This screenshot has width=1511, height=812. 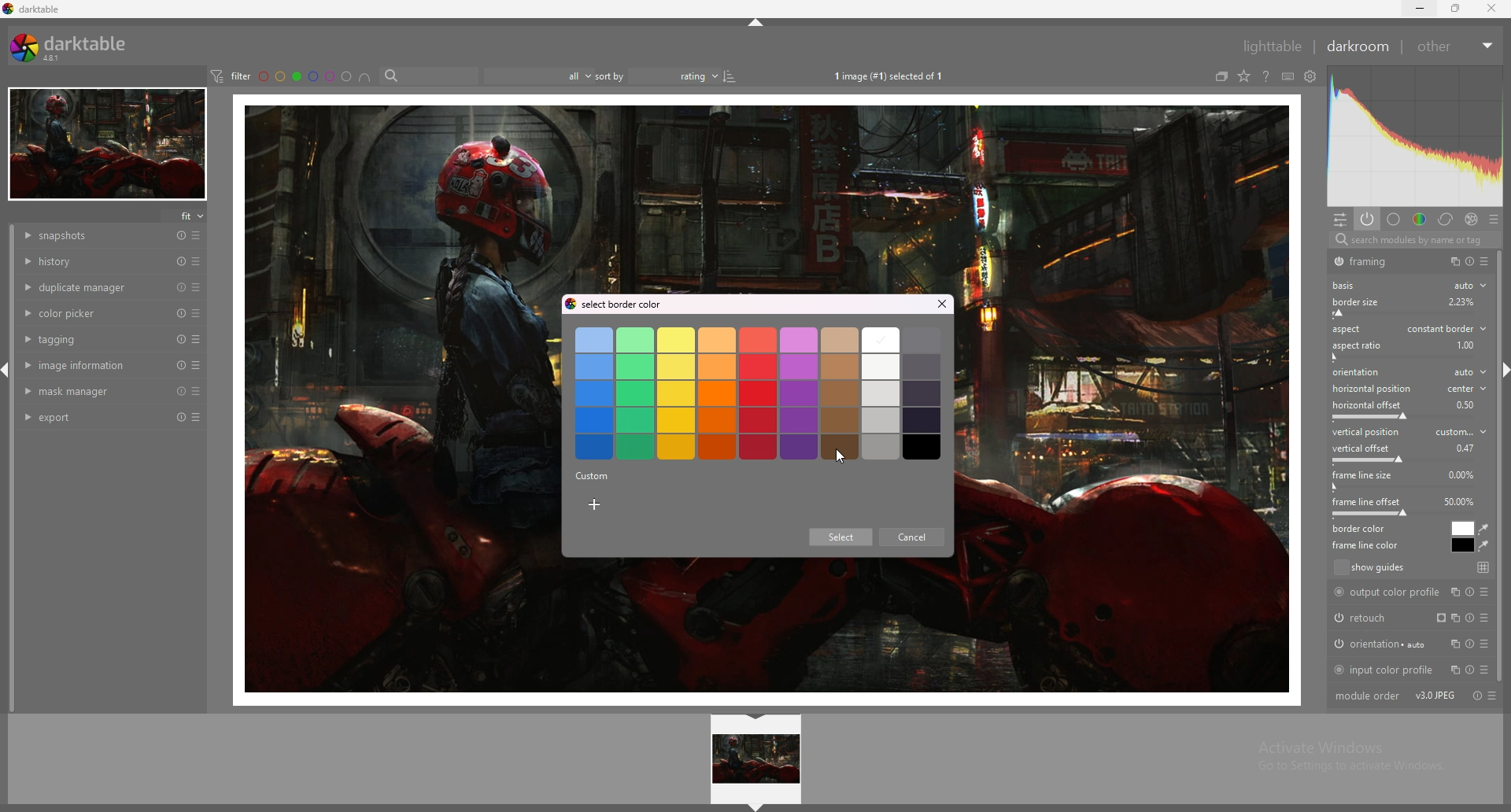 I want to click on cursor, so click(x=844, y=454).